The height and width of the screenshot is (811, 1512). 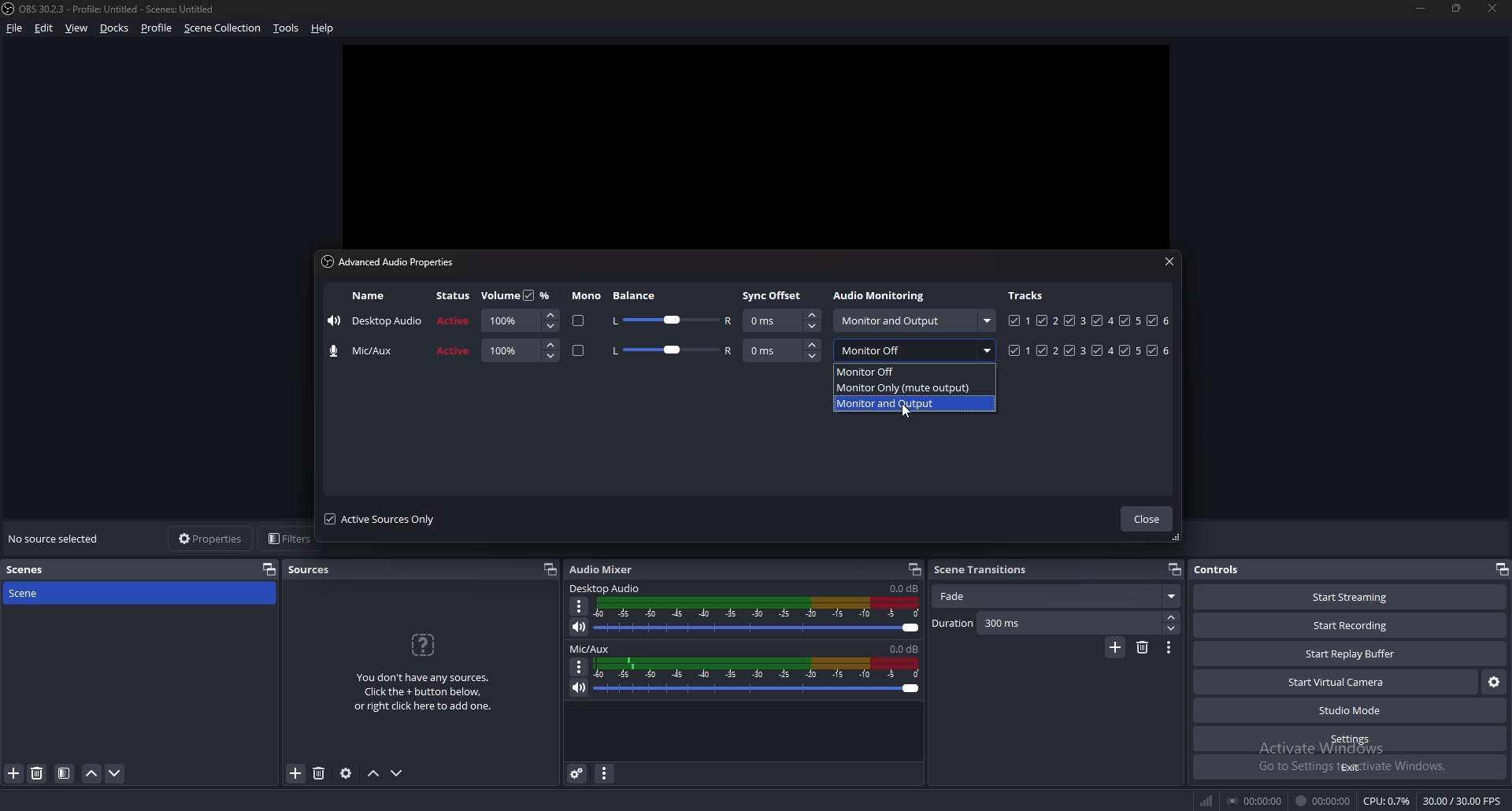 What do you see at coordinates (673, 351) in the screenshot?
I see `balance adjust` at bounding box center [673, 351].